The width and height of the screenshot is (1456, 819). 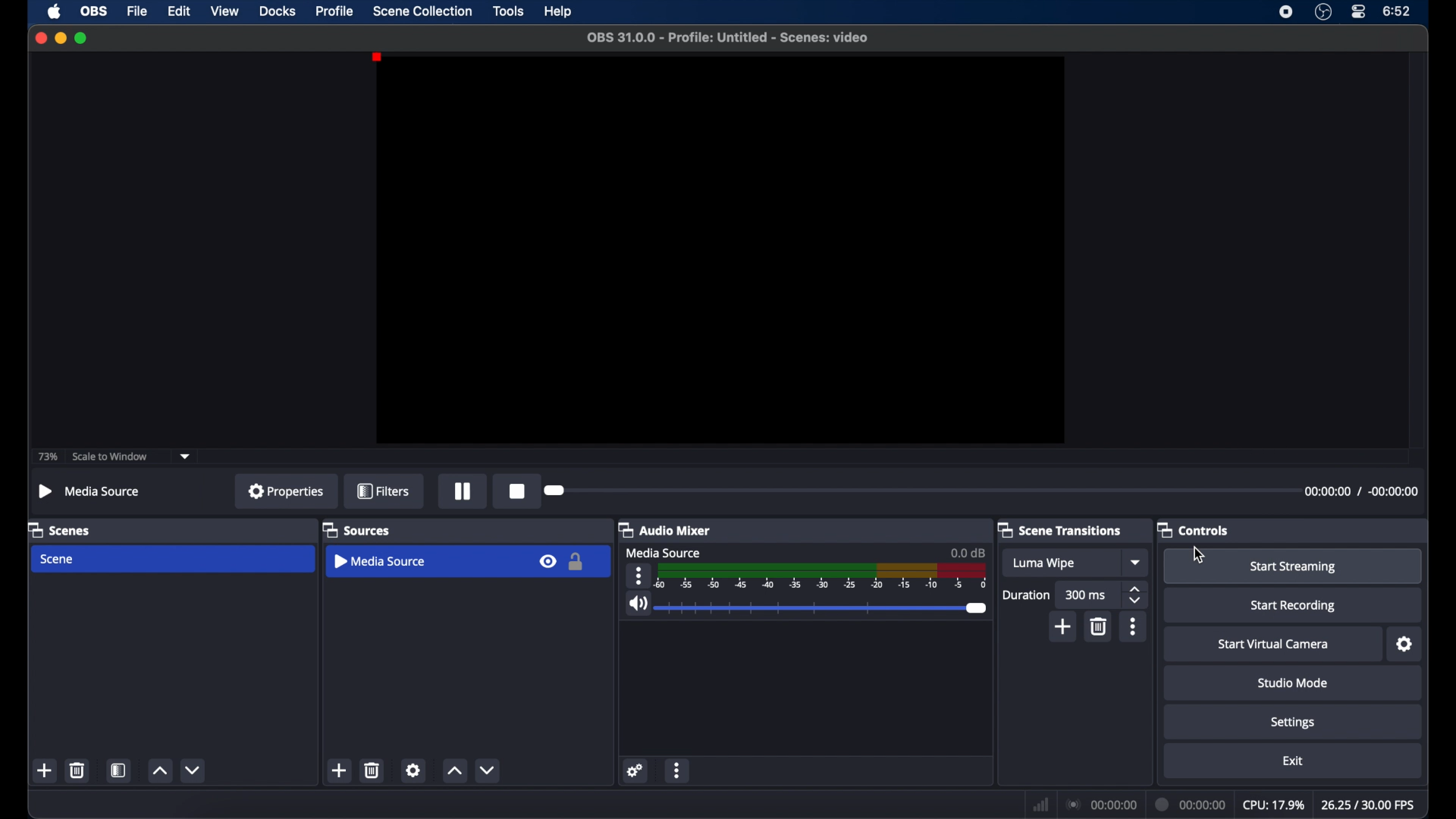 What do you see at coordinates (663, 552) in the screenshot?
I see `mediasourcce` at bounding box center [663, 552].